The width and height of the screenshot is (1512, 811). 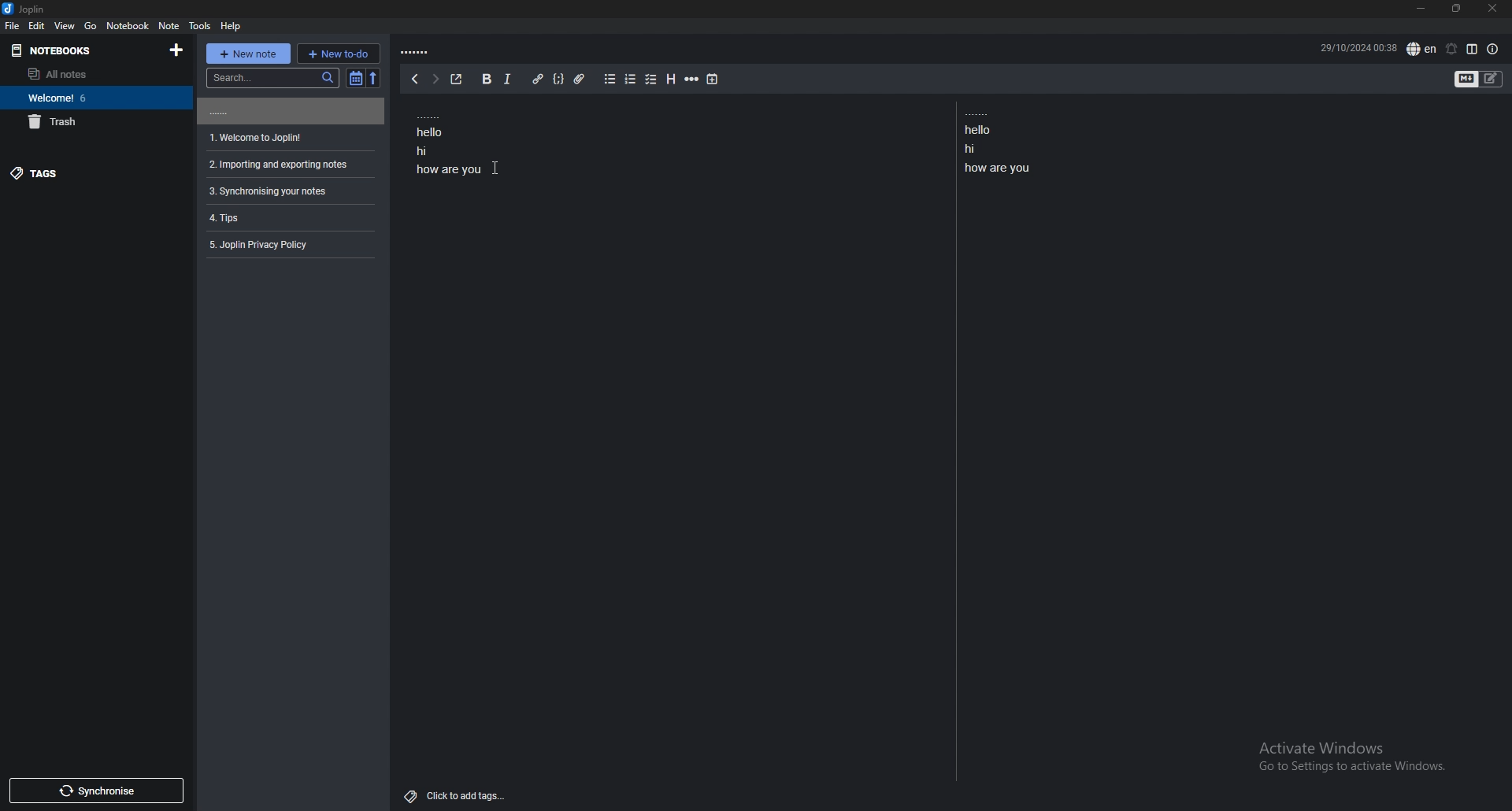 What do you see at coordinates (1423, 49) in the screenshot?
I see `spell check` at bounding box center [1423, 49].